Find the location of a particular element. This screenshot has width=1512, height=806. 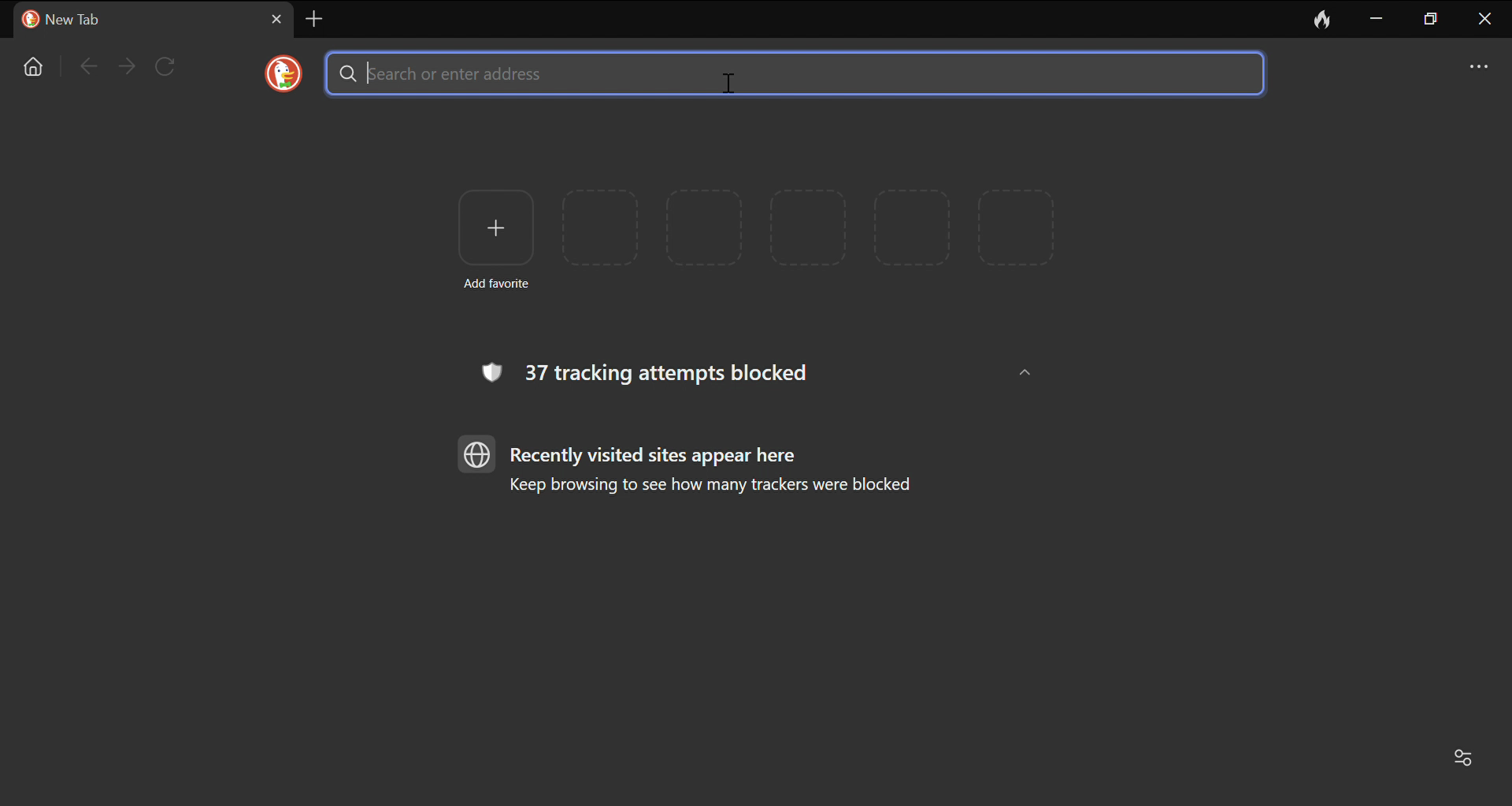

Current tab is located at coordinates (132, 20).